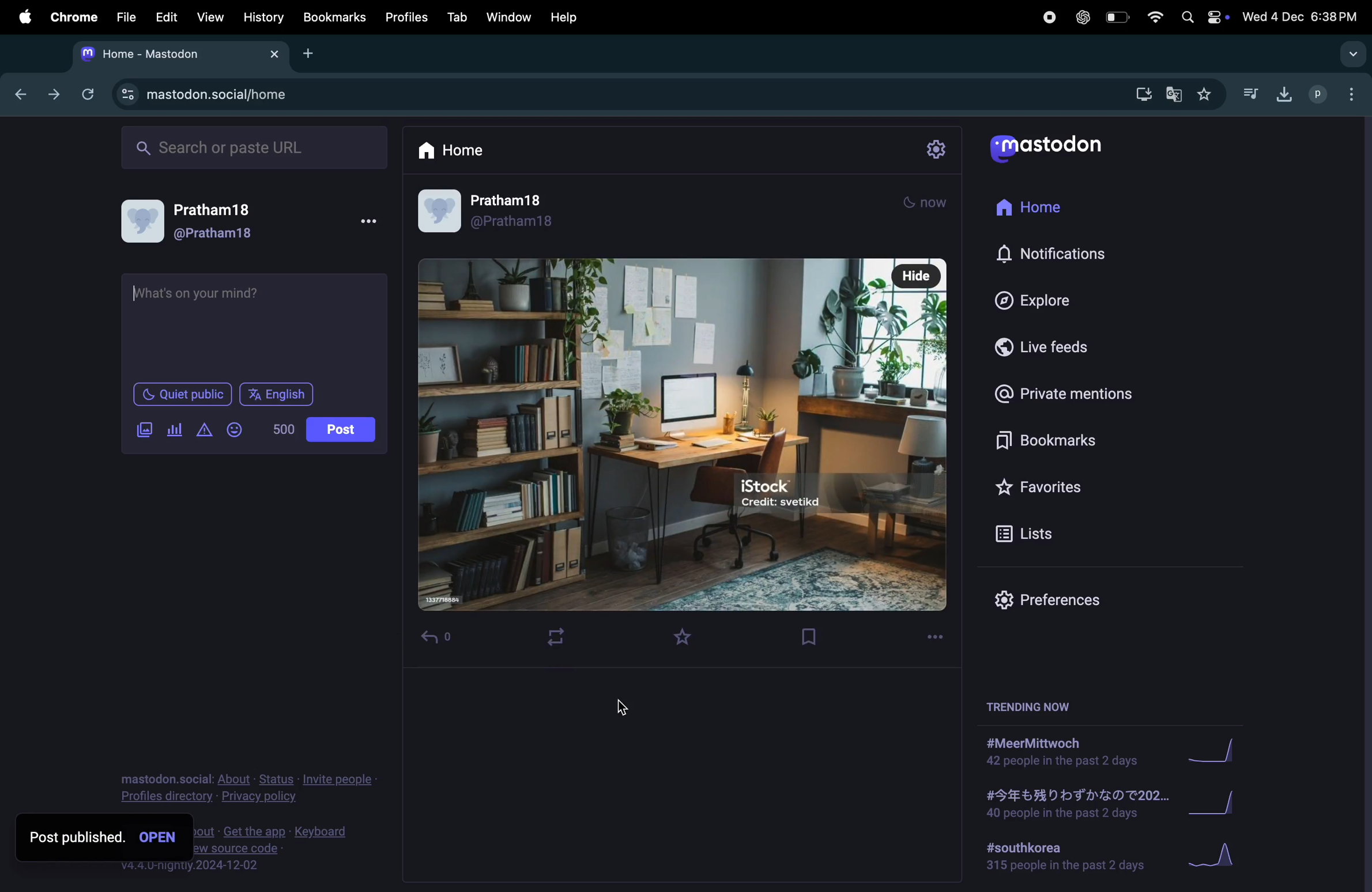  Describe the element at coordinates (1175, 97) in the screenshot. I see `translate` at that location.